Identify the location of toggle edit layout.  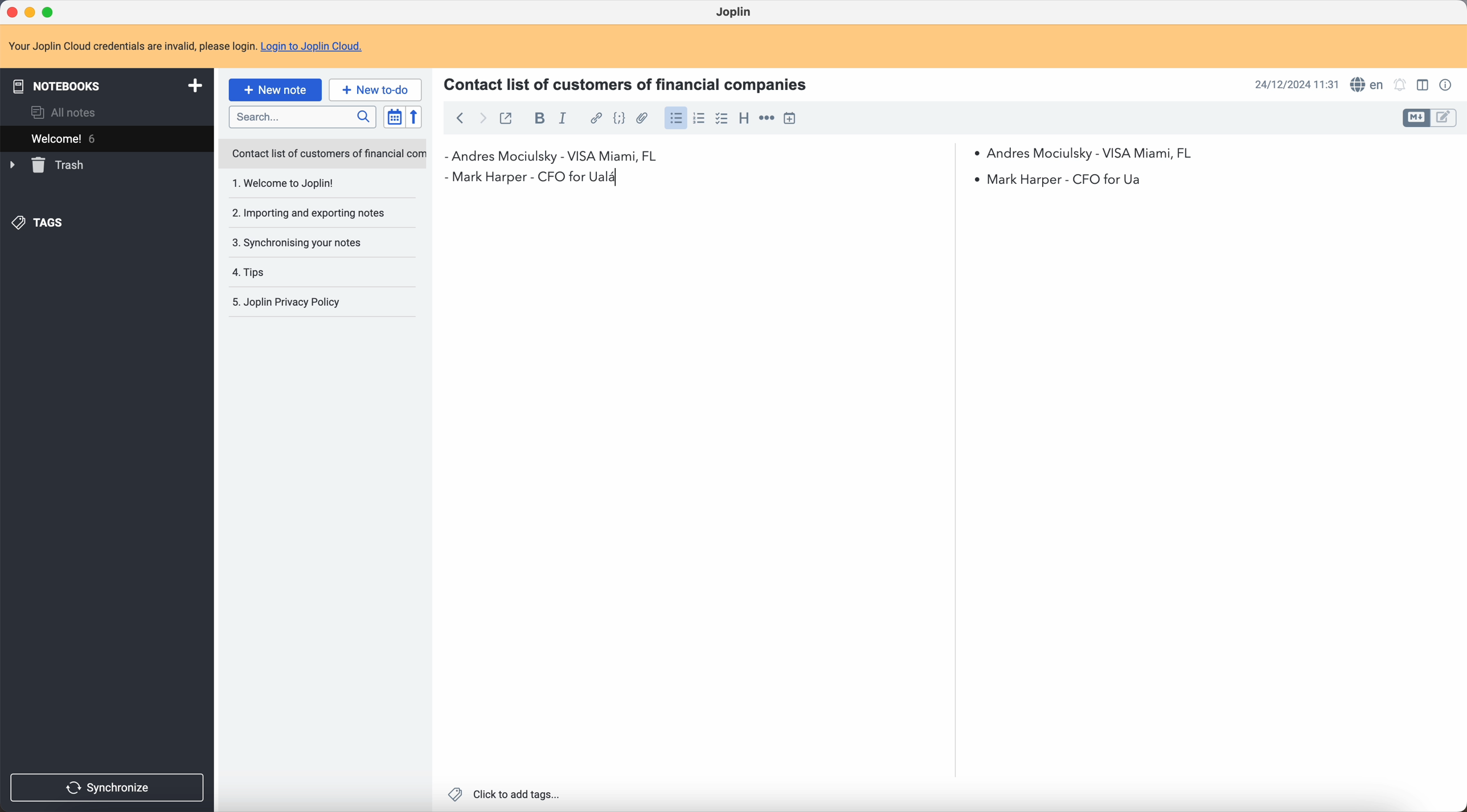
(1422, 84).